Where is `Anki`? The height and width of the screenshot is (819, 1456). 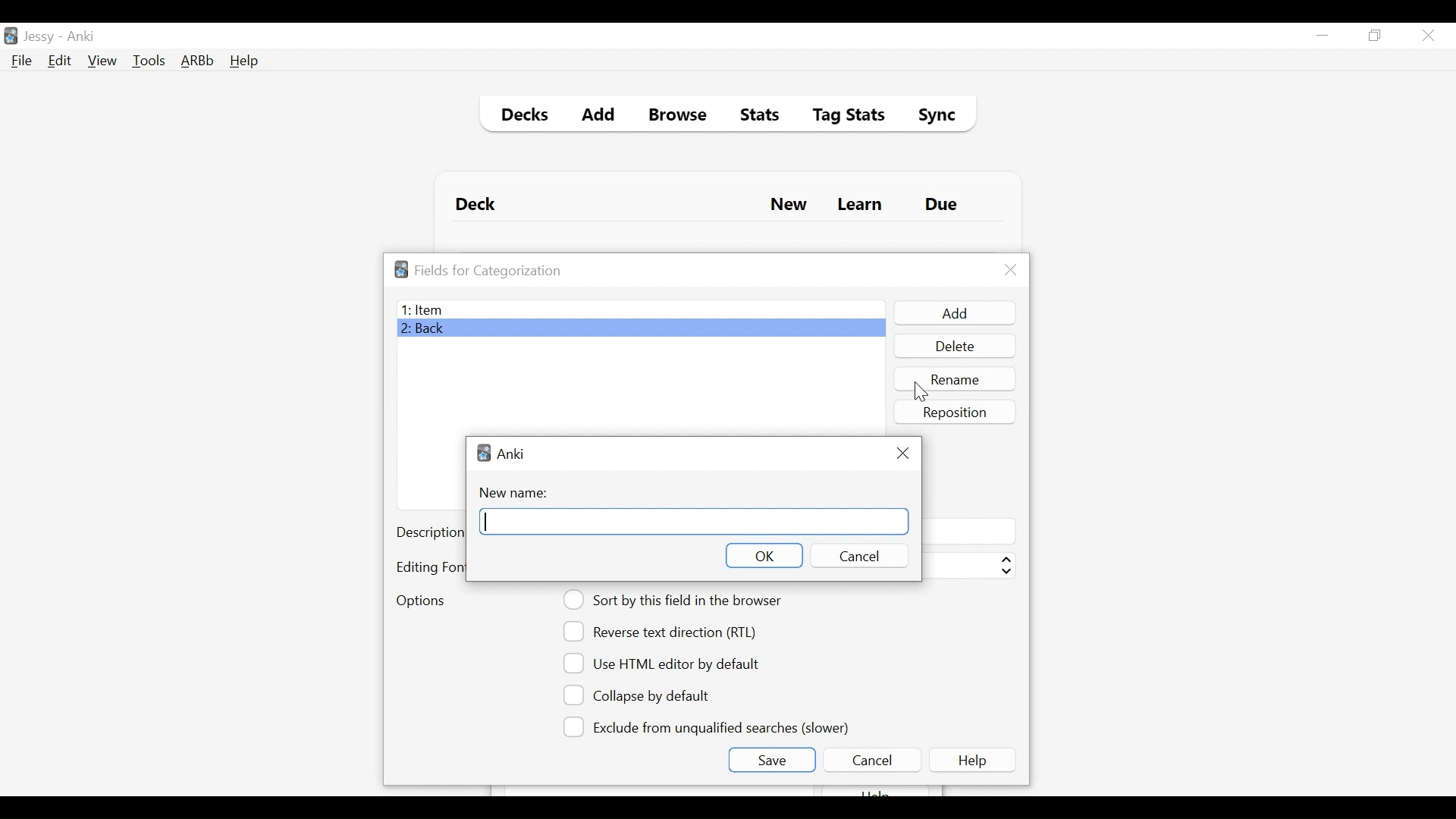 Anki is located at coordinates (81, 36).